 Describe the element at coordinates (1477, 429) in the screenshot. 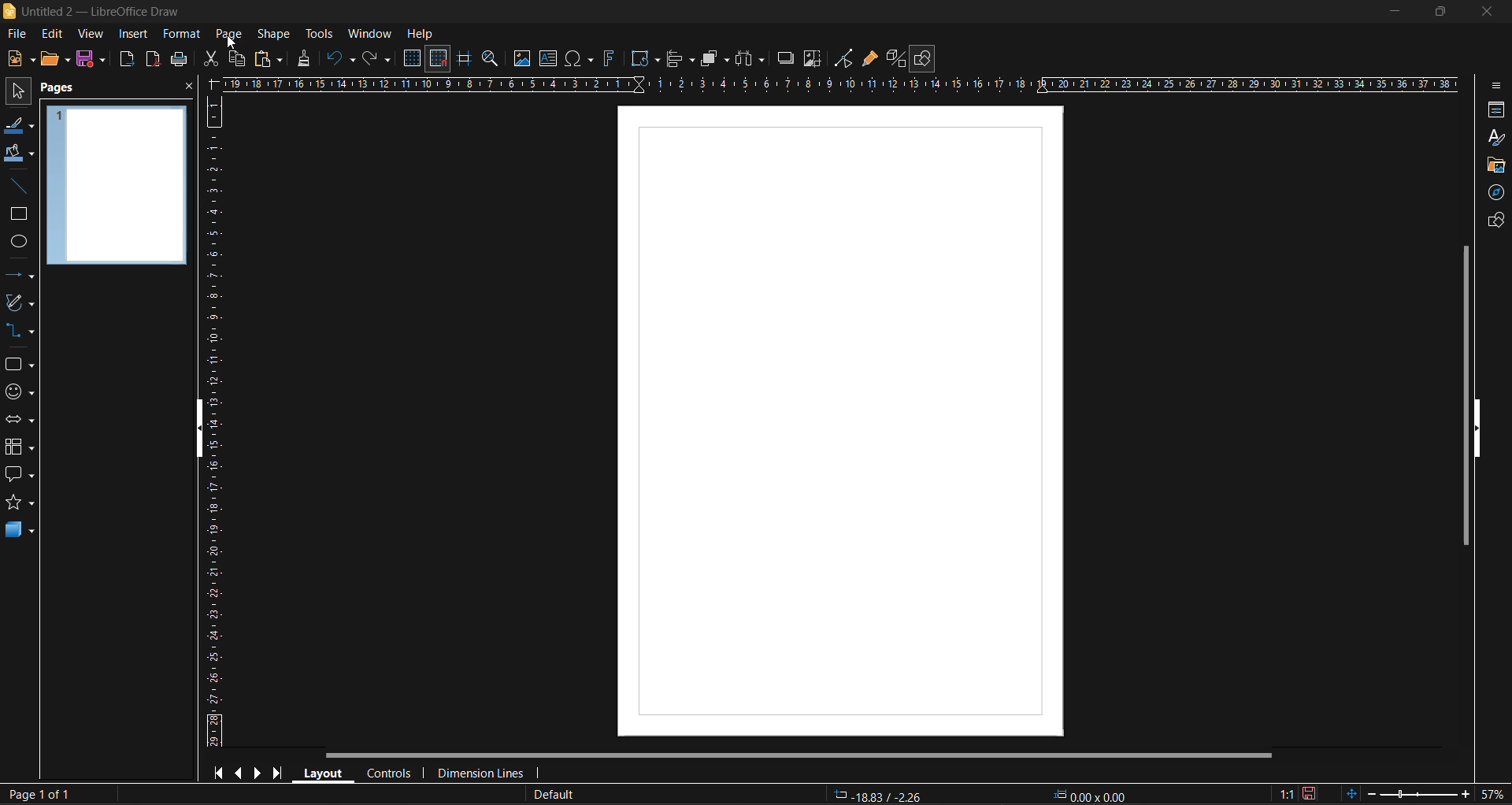

I see `hide` at that location.